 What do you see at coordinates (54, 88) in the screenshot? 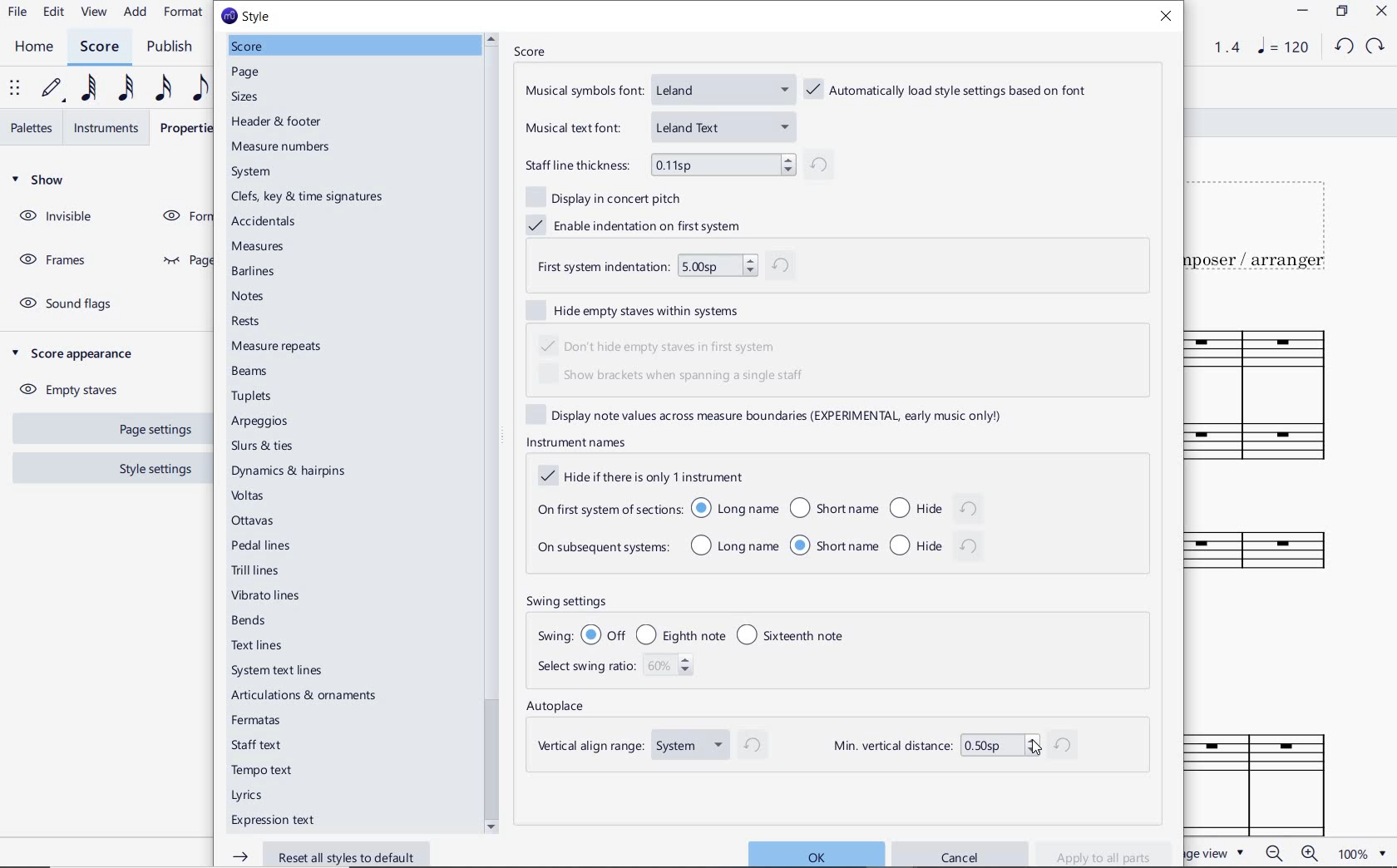
I see `DEFAULT (STEP TIME)` at bounding box center [54, 88].